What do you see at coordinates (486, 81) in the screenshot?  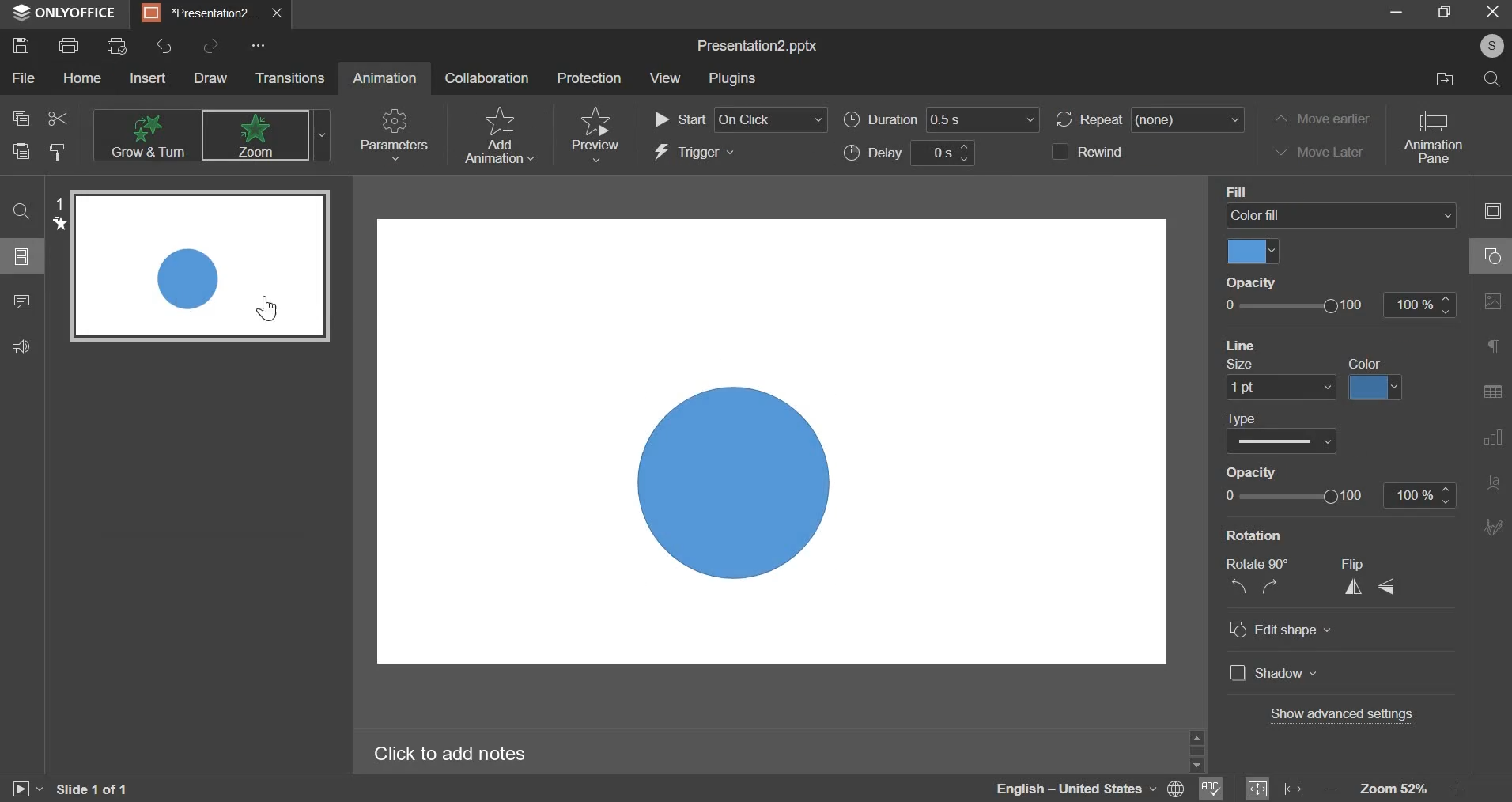 I see `Collaboration` at bounding box center [486, 81].